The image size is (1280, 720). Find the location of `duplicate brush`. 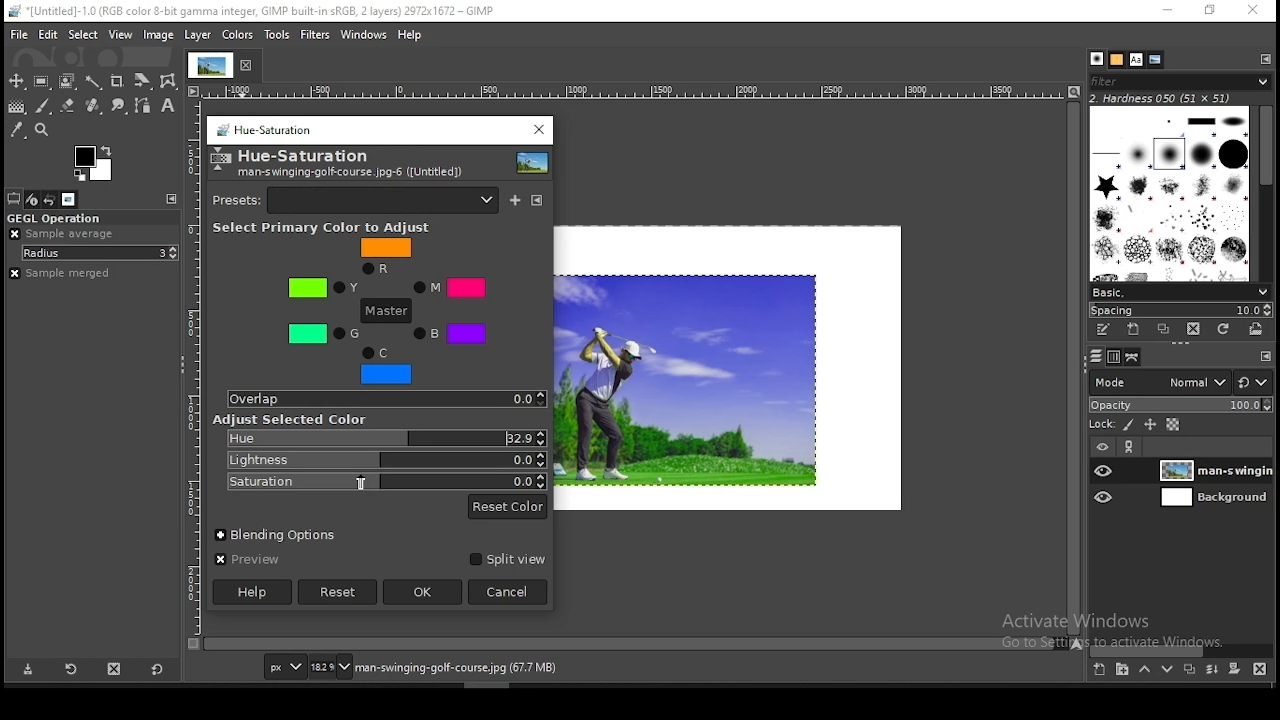

duplicate brush is located at coordinates (1164, 330).